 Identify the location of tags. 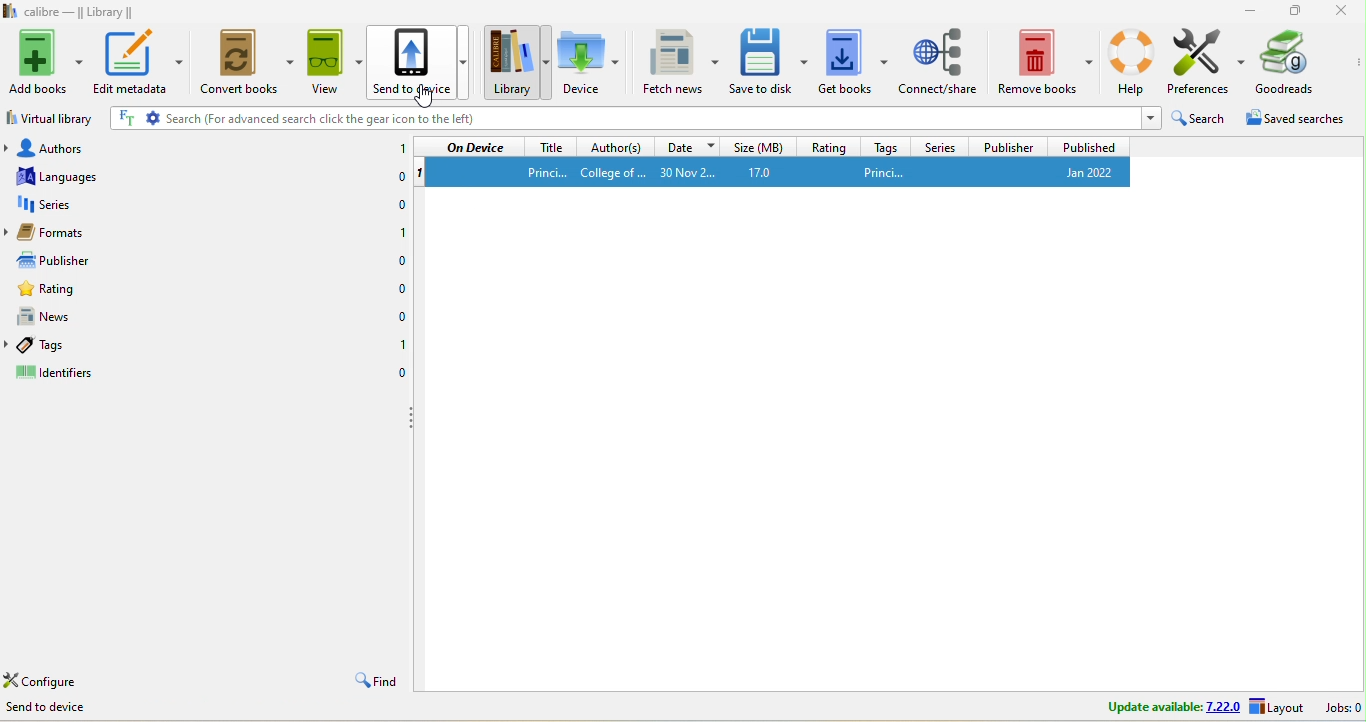
(887, 146).